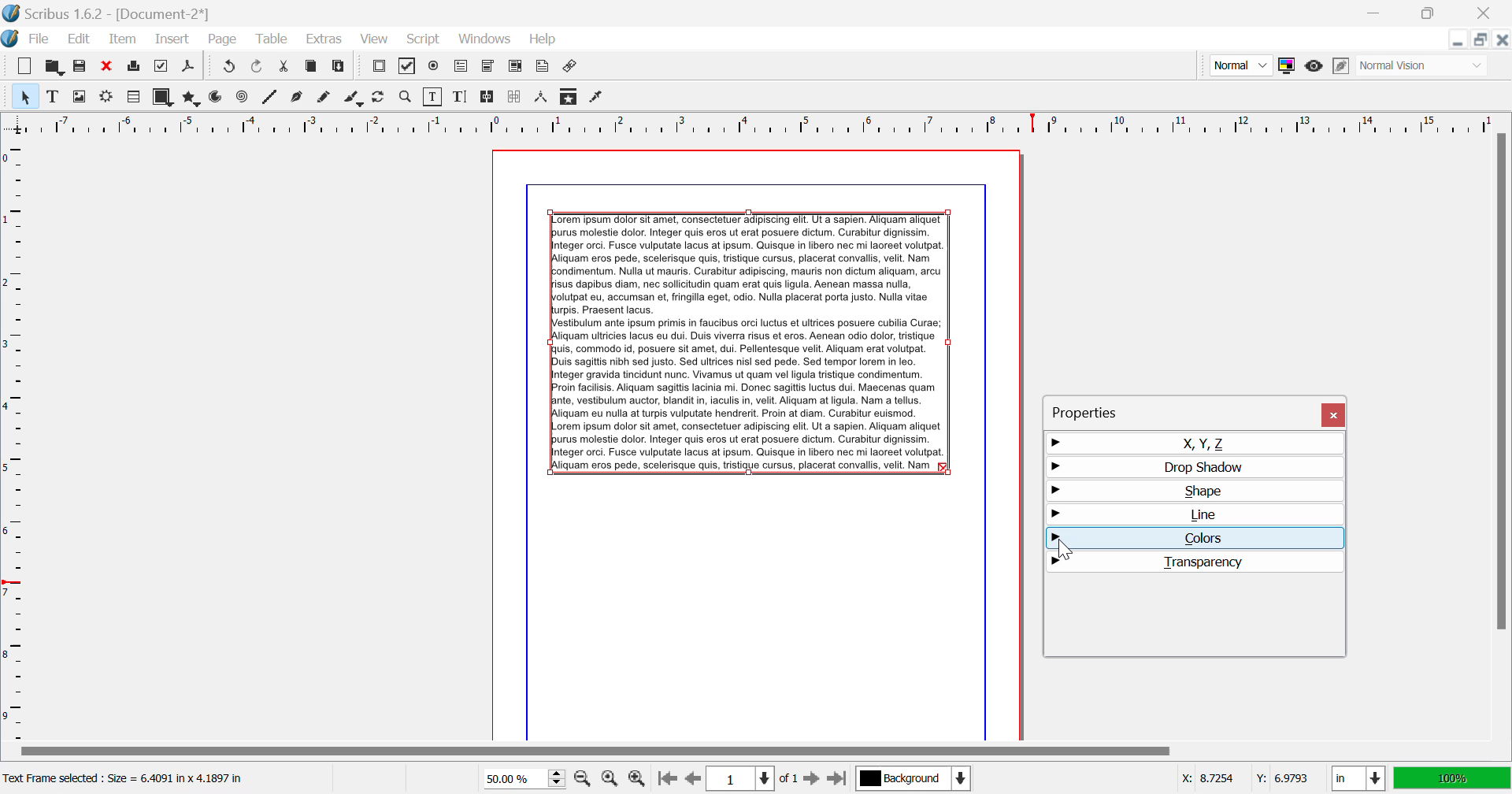 Image resolution: width=1512 pixels, height=794 pixels. Describe the element at coordinates (127, 779) in the screenshot. I see `Text Frame selected: Size = 6.4091 in x 4.1897 in` at that location.